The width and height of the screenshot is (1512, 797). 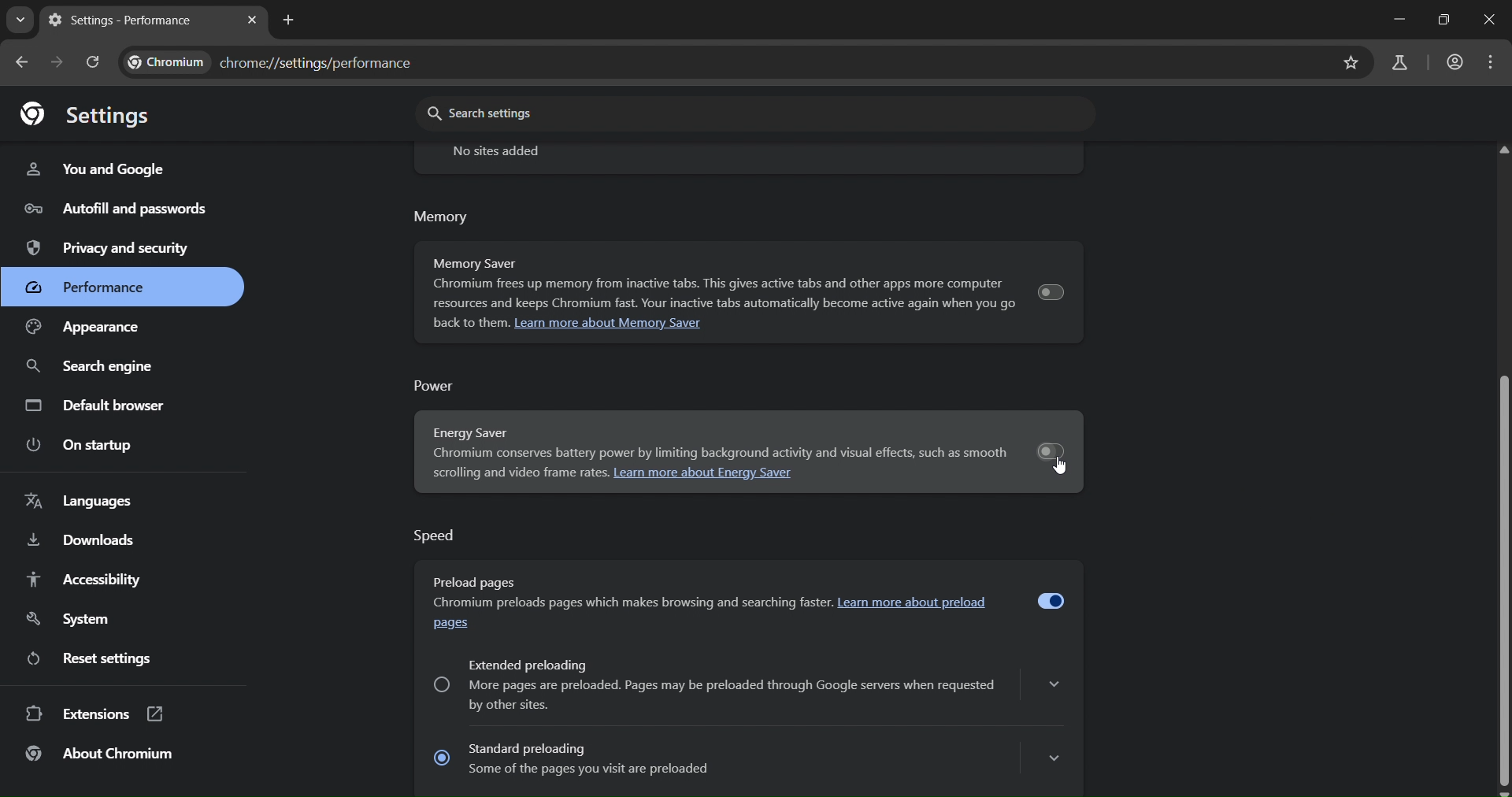 What do you see at coordinates (99, 364) in the screenshot?
I see `search engine` at bounding box center [99, 364].